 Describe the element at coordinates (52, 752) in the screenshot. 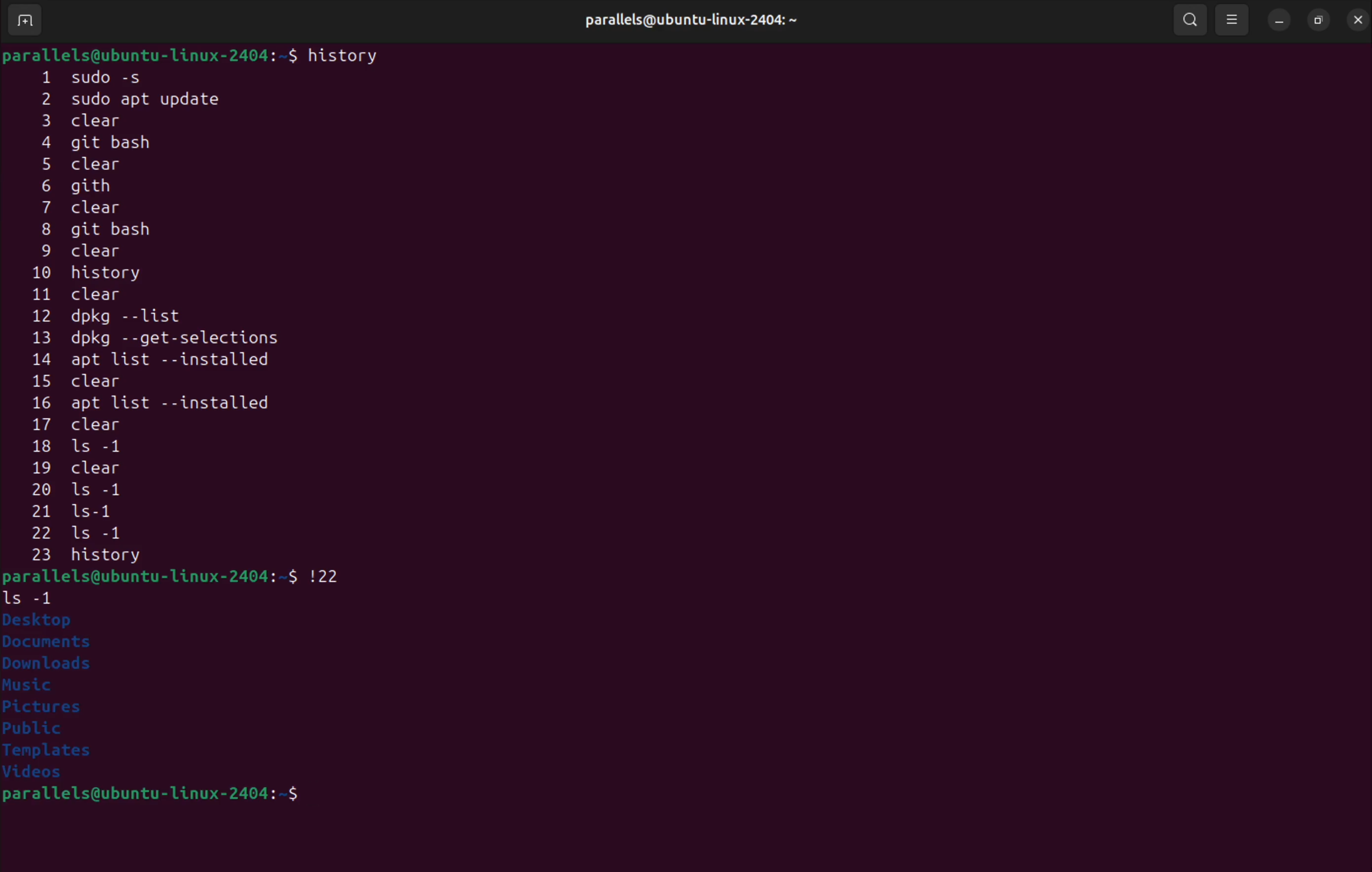

I see `templates` at that location.